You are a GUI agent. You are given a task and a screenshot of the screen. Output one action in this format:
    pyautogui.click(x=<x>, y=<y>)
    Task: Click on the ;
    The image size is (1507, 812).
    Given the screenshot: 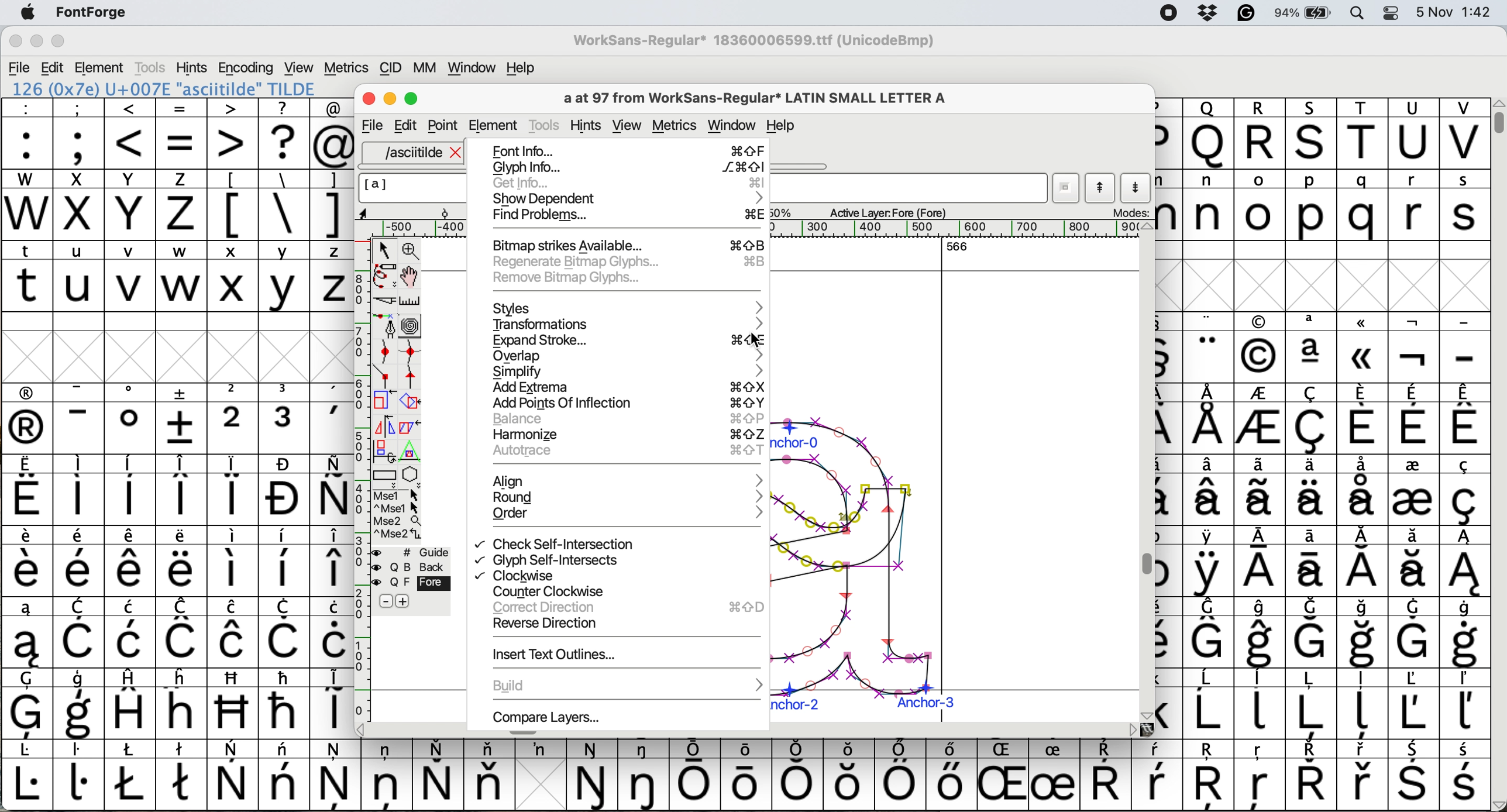 What is the action you would take?
    pyautogui.click(x=79, y=132)
    